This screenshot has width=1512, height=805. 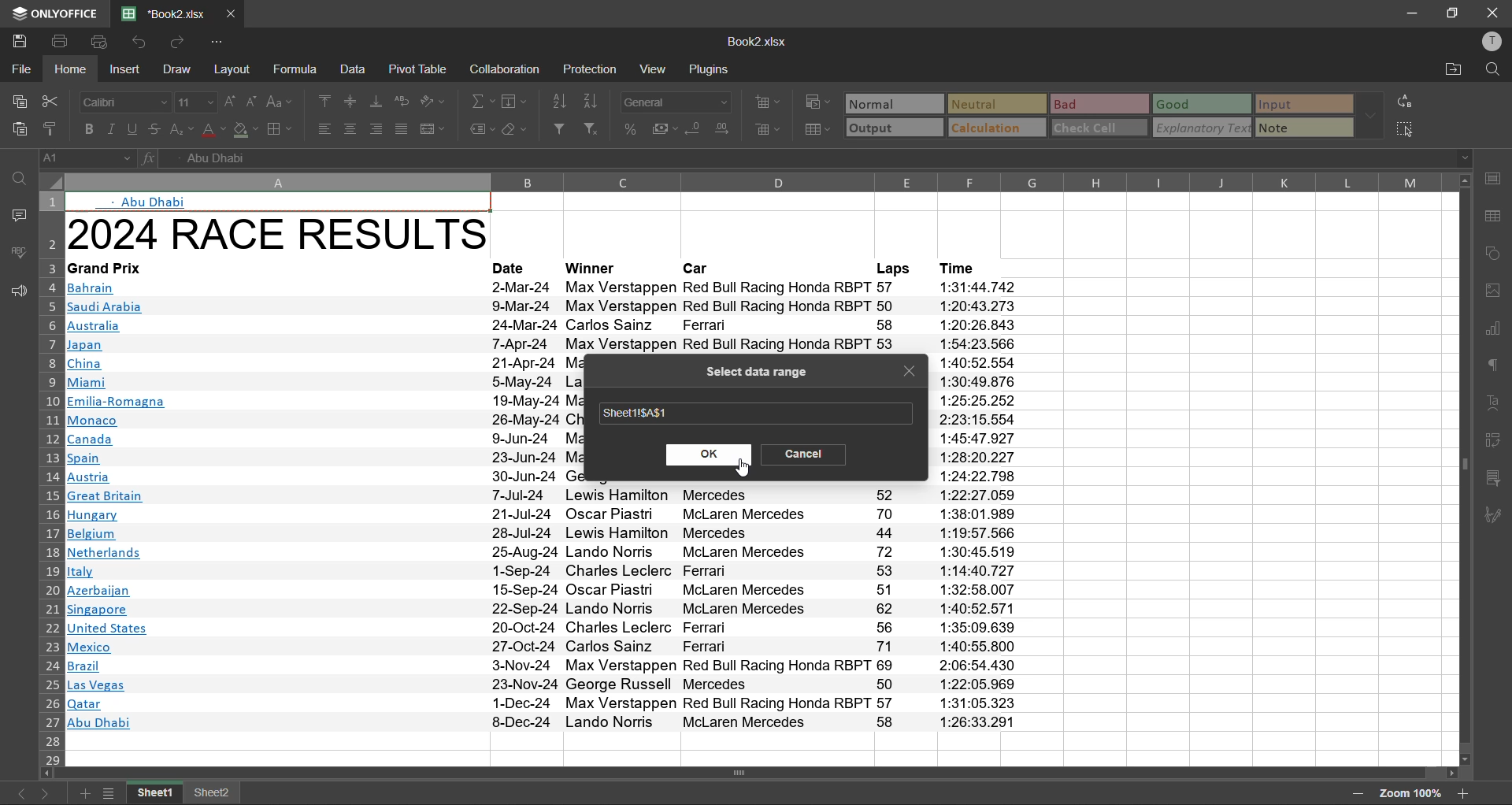 I want to click on draw, so click(x=177, y=72).